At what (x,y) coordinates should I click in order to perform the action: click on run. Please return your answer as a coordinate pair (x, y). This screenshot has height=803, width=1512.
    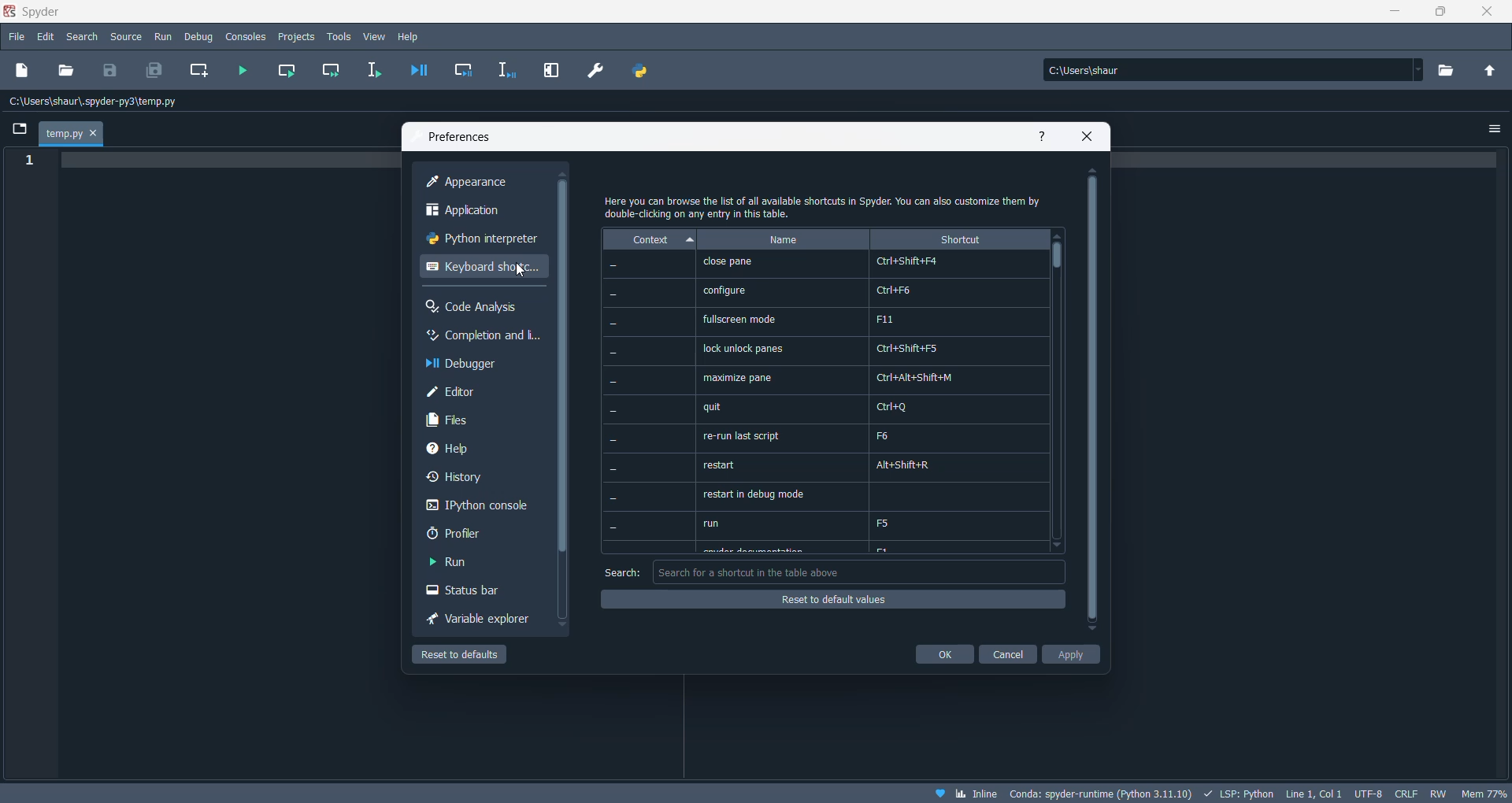
    Looking at the image, I should click on (462, 564).